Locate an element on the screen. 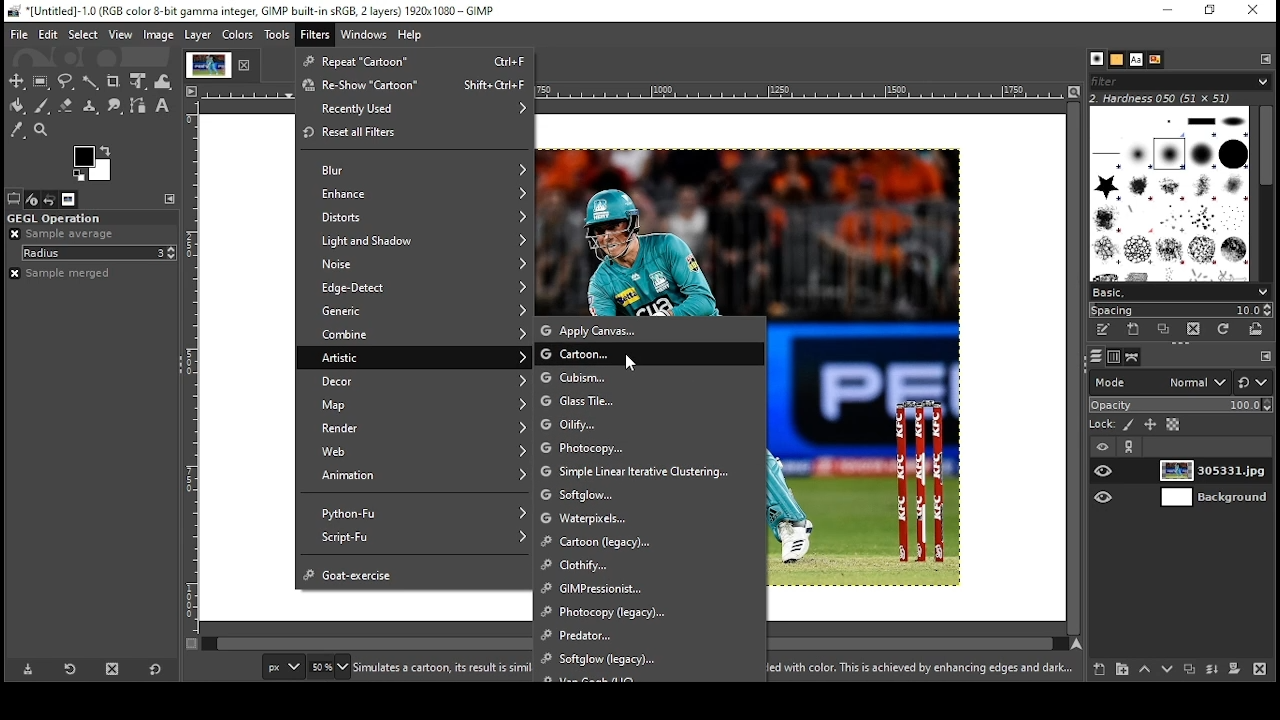 The height and width of the screenshot is (720, 1280). combine is located at coordinates (415, 334).